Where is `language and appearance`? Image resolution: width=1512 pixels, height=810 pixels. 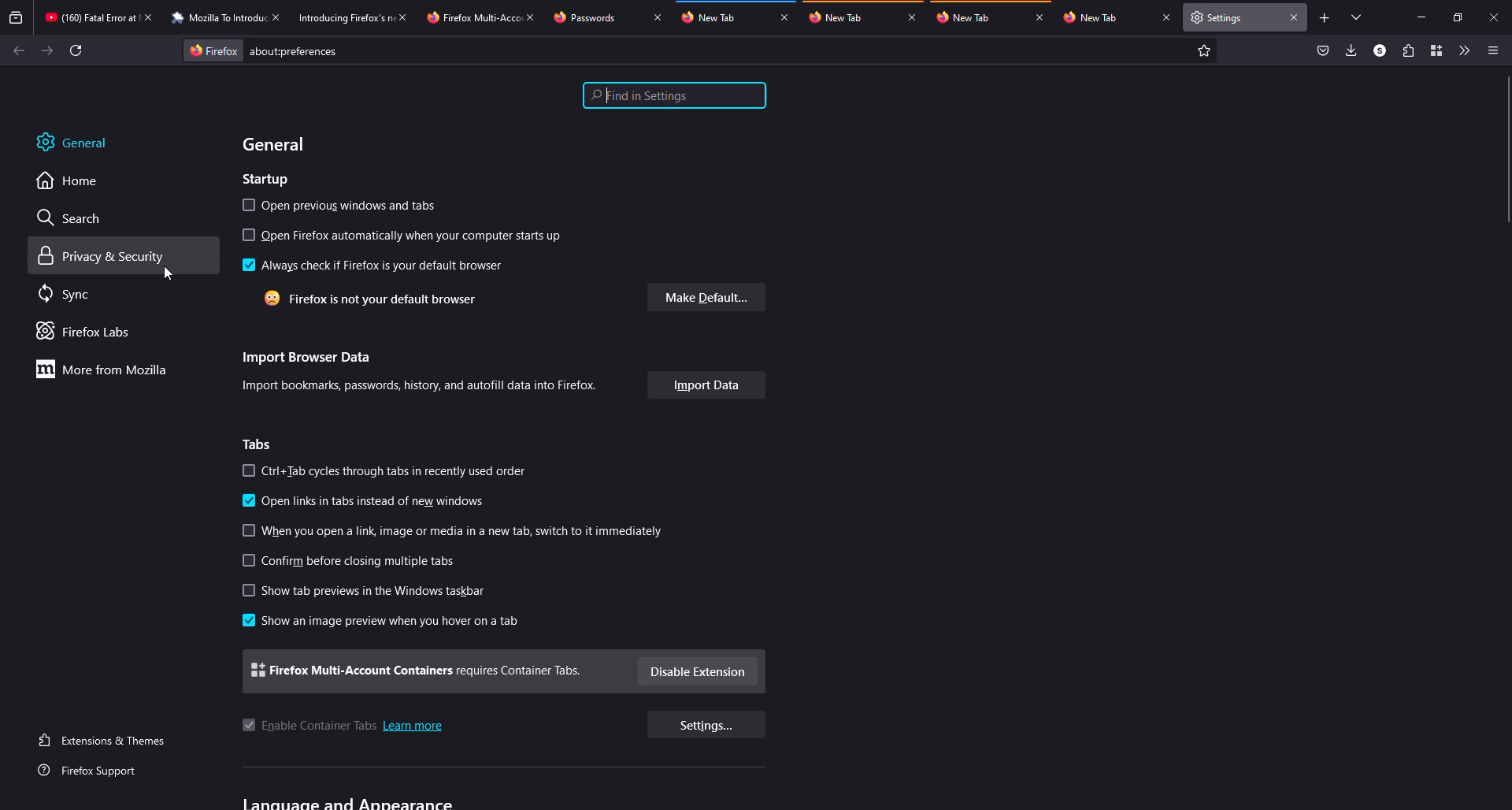 language and appearance is located at coordinates (351, 802).